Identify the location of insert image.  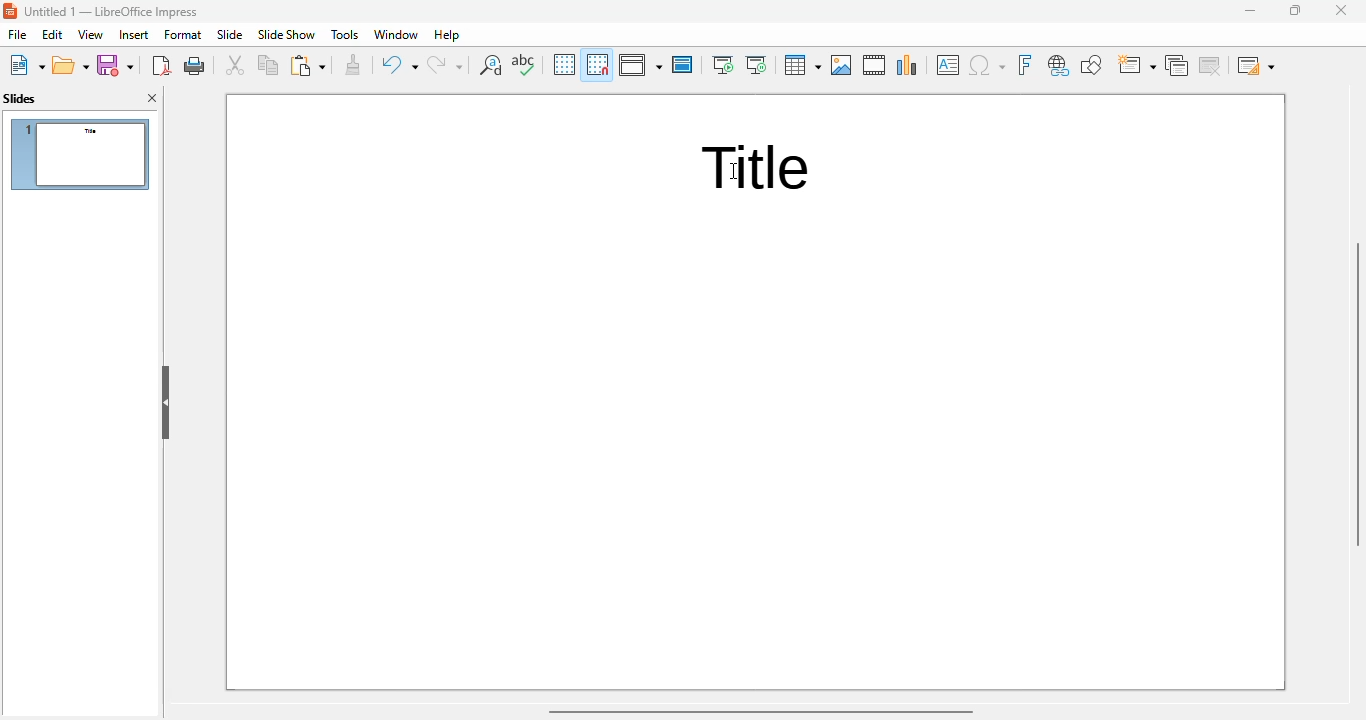
(841, 65).